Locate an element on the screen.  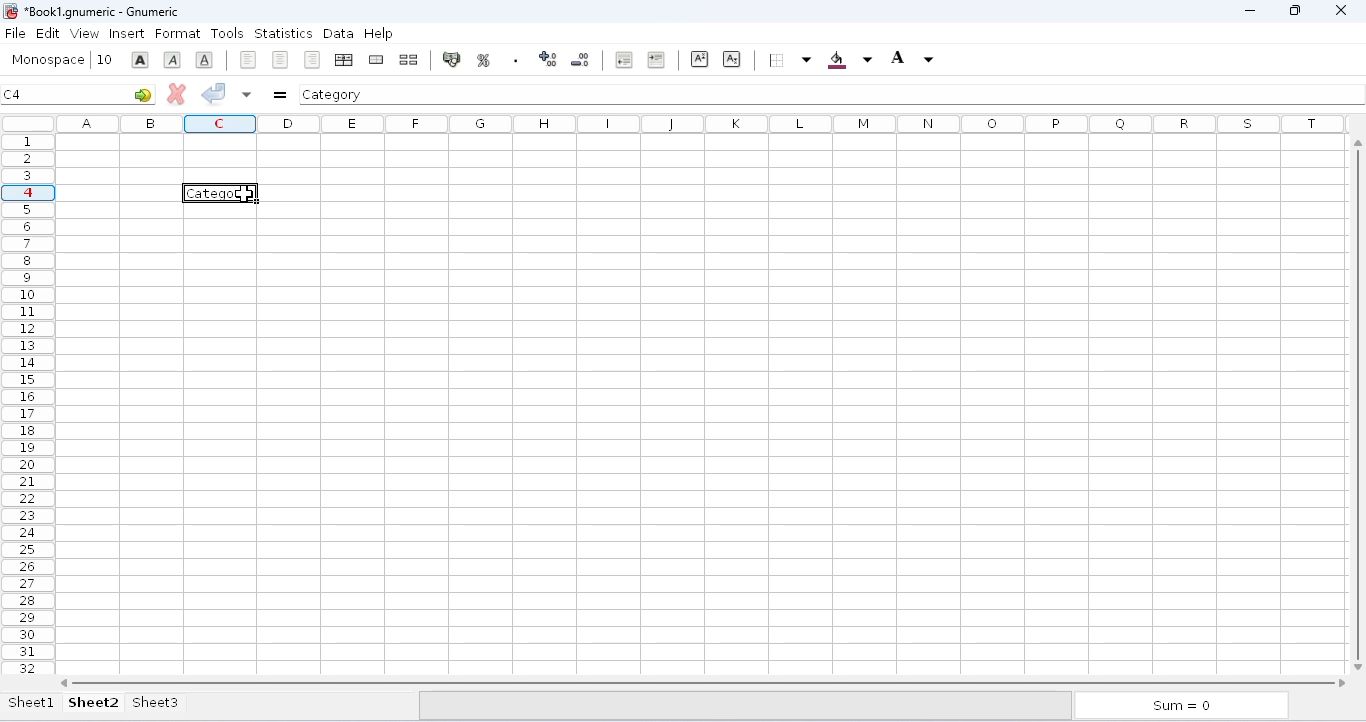
insert is located at coordinates (127, 34).